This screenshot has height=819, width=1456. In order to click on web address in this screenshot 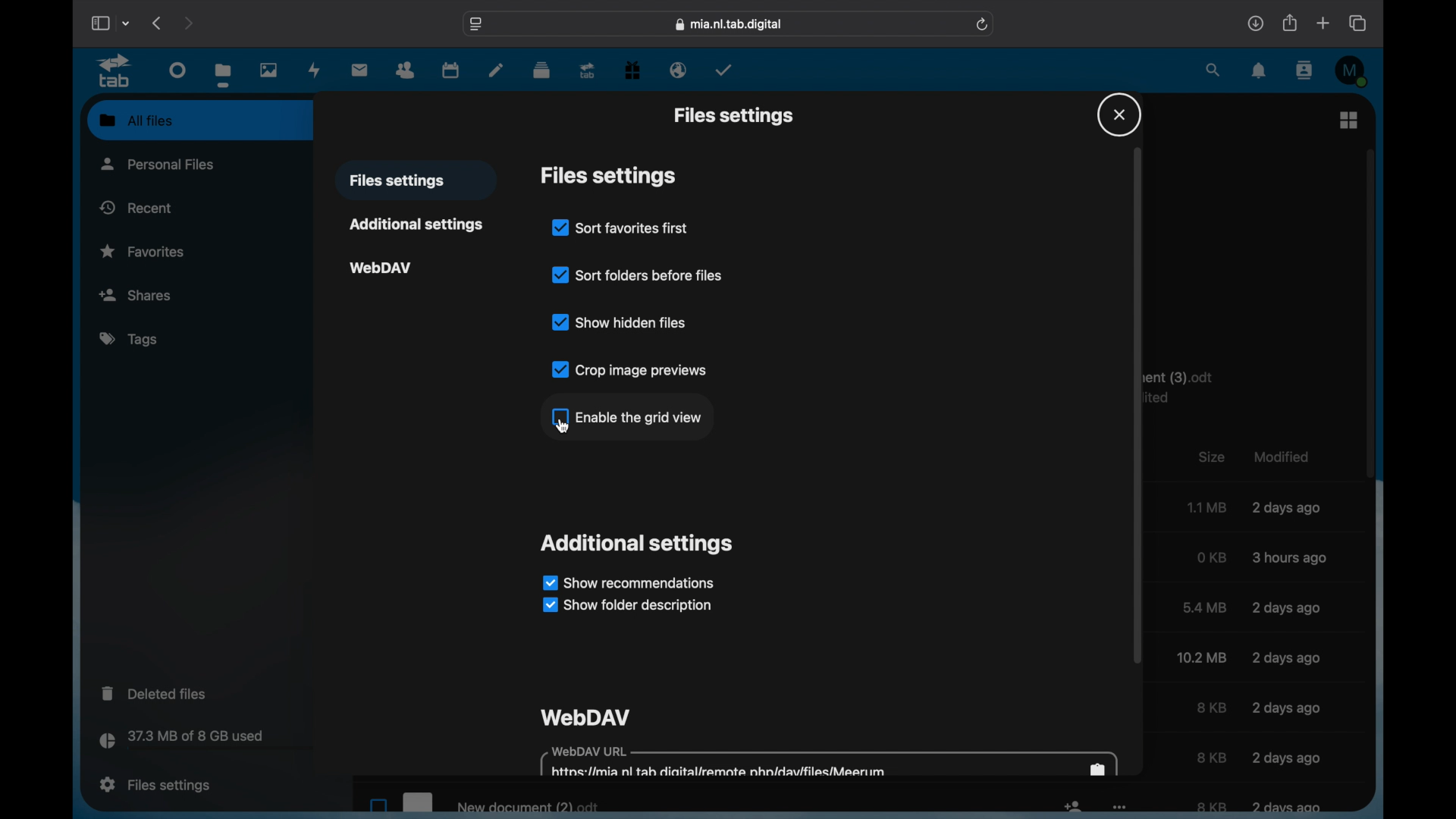, I will do `click(729, 24)`.